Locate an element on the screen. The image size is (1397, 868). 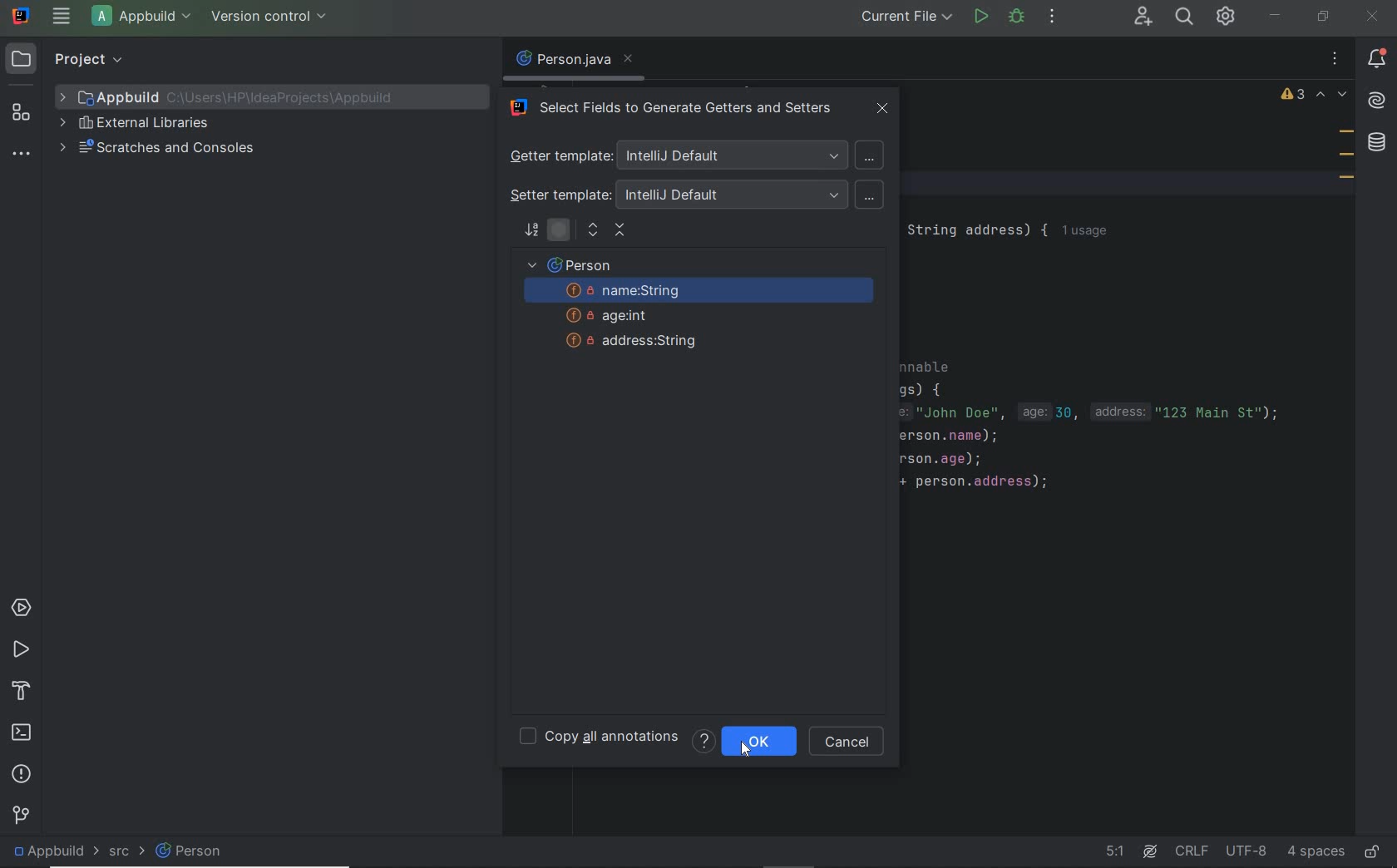
main menu is located at coordinates (60, 17).